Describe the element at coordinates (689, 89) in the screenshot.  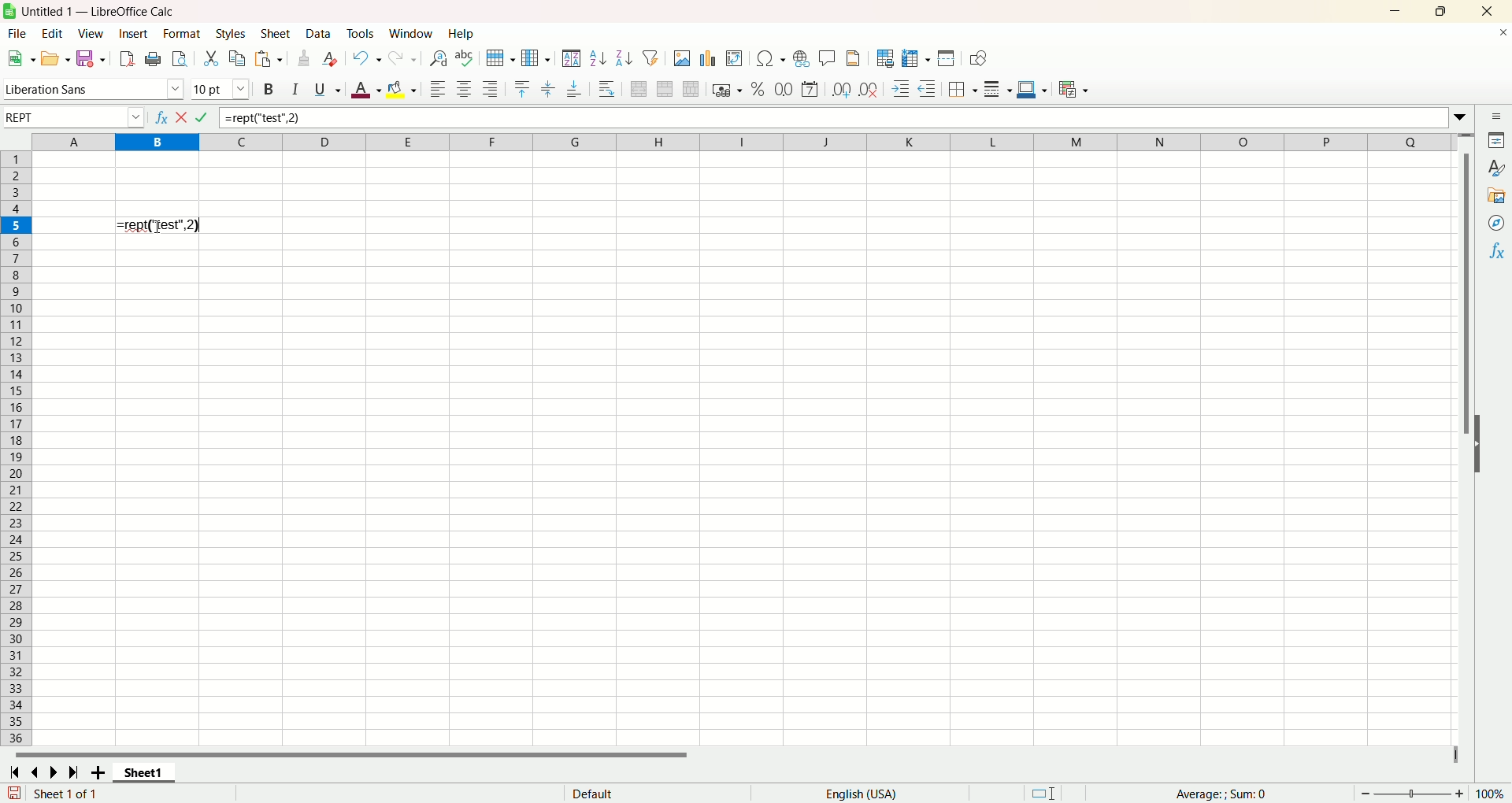
I see `unmerge cells` at that location.